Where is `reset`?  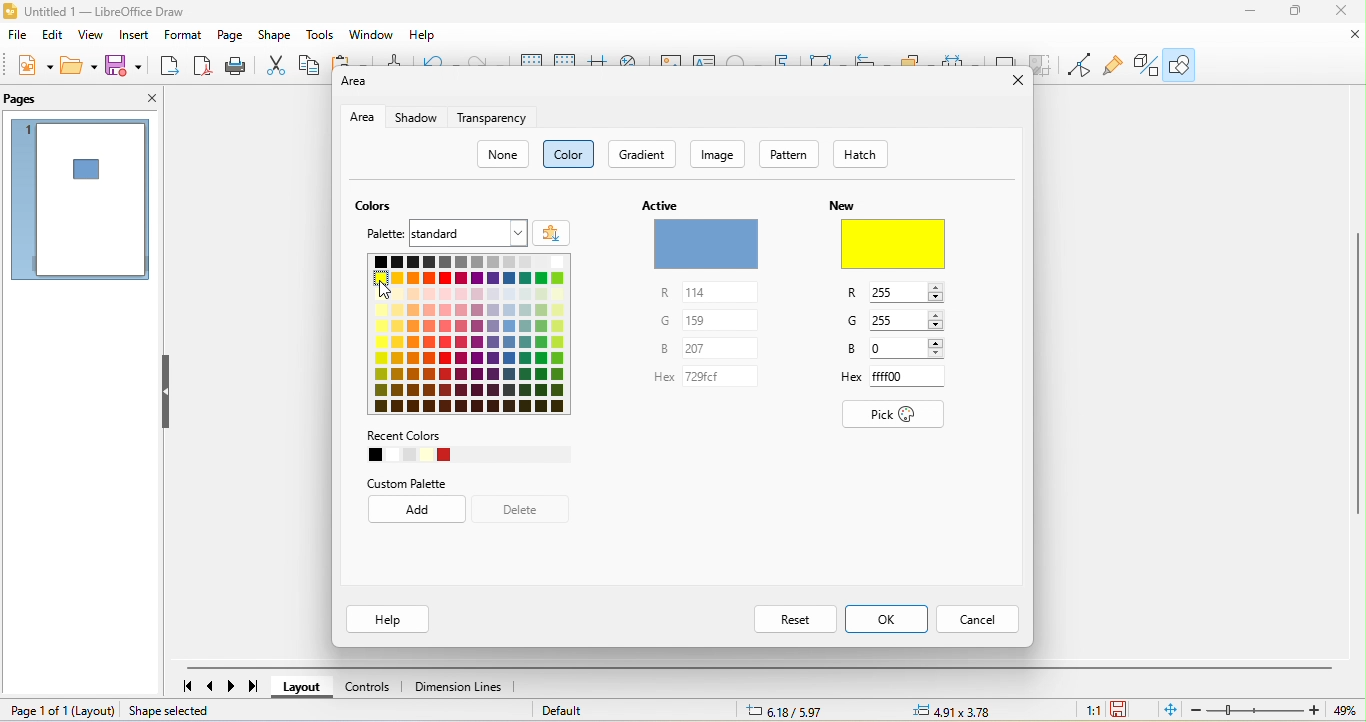
reset is located at coordinates (792, 620).